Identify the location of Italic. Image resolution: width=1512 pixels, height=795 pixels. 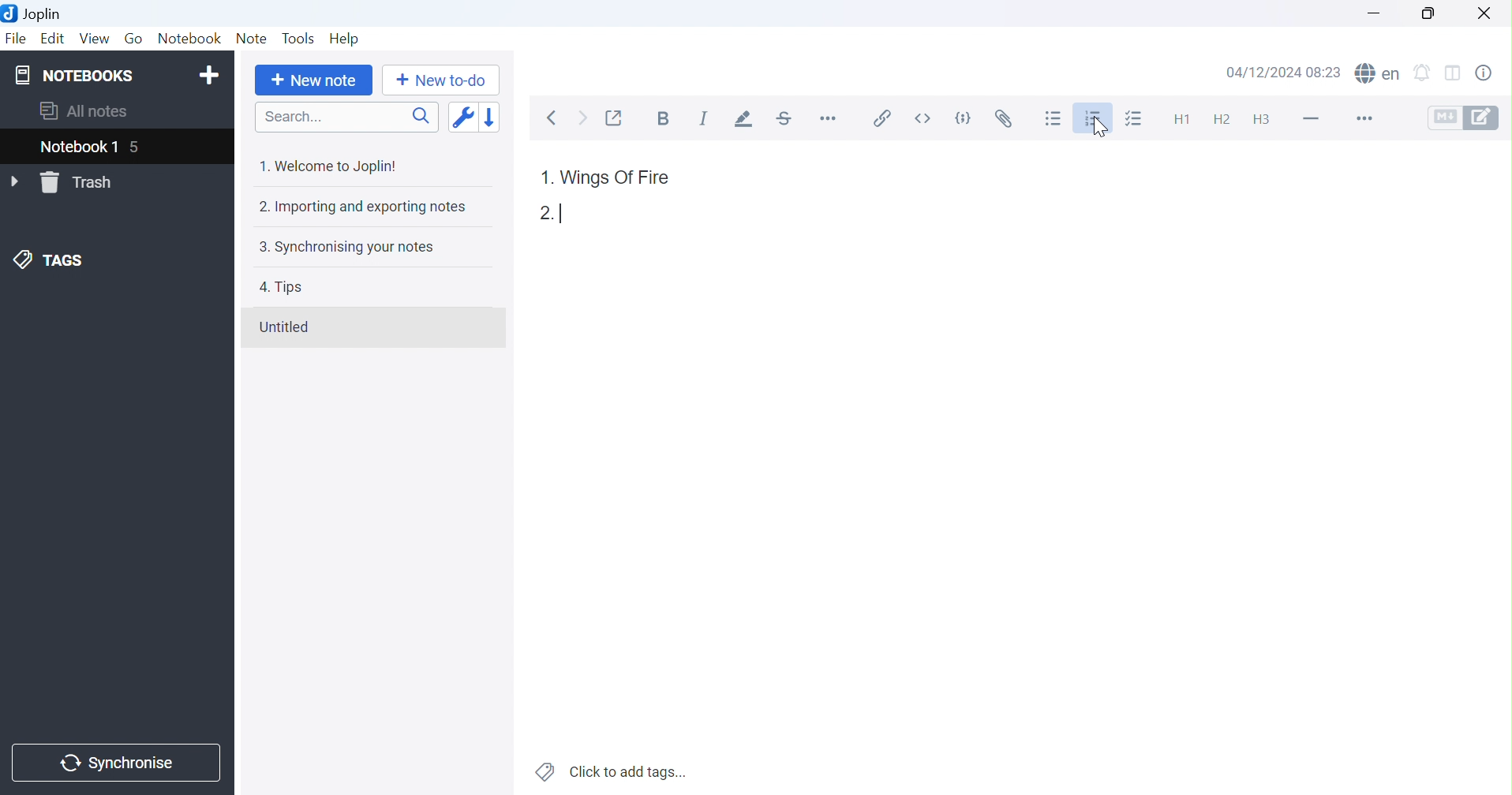
(705, 118).